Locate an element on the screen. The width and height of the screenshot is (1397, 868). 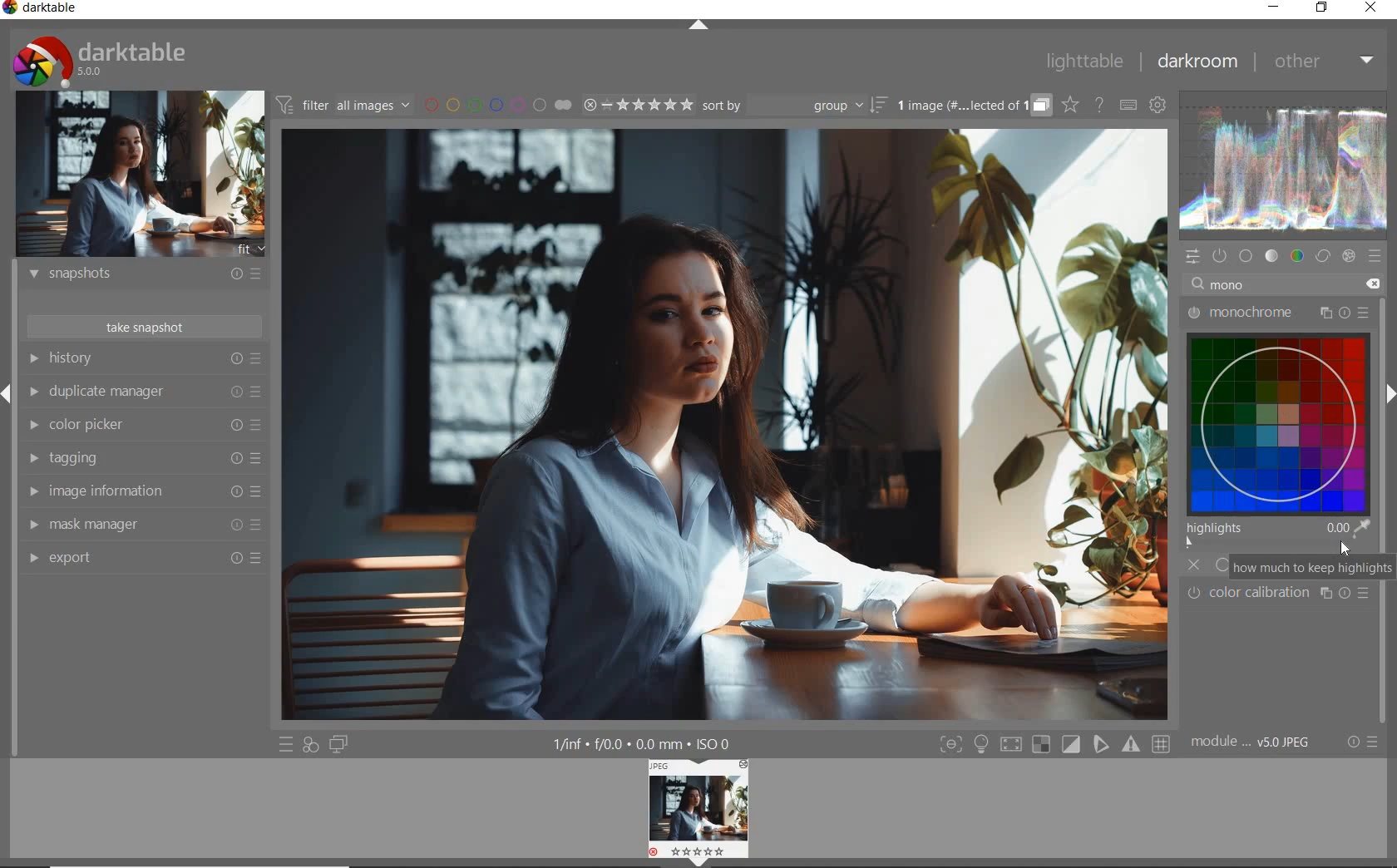
virtual color map is located at coordinates (1276, 421).